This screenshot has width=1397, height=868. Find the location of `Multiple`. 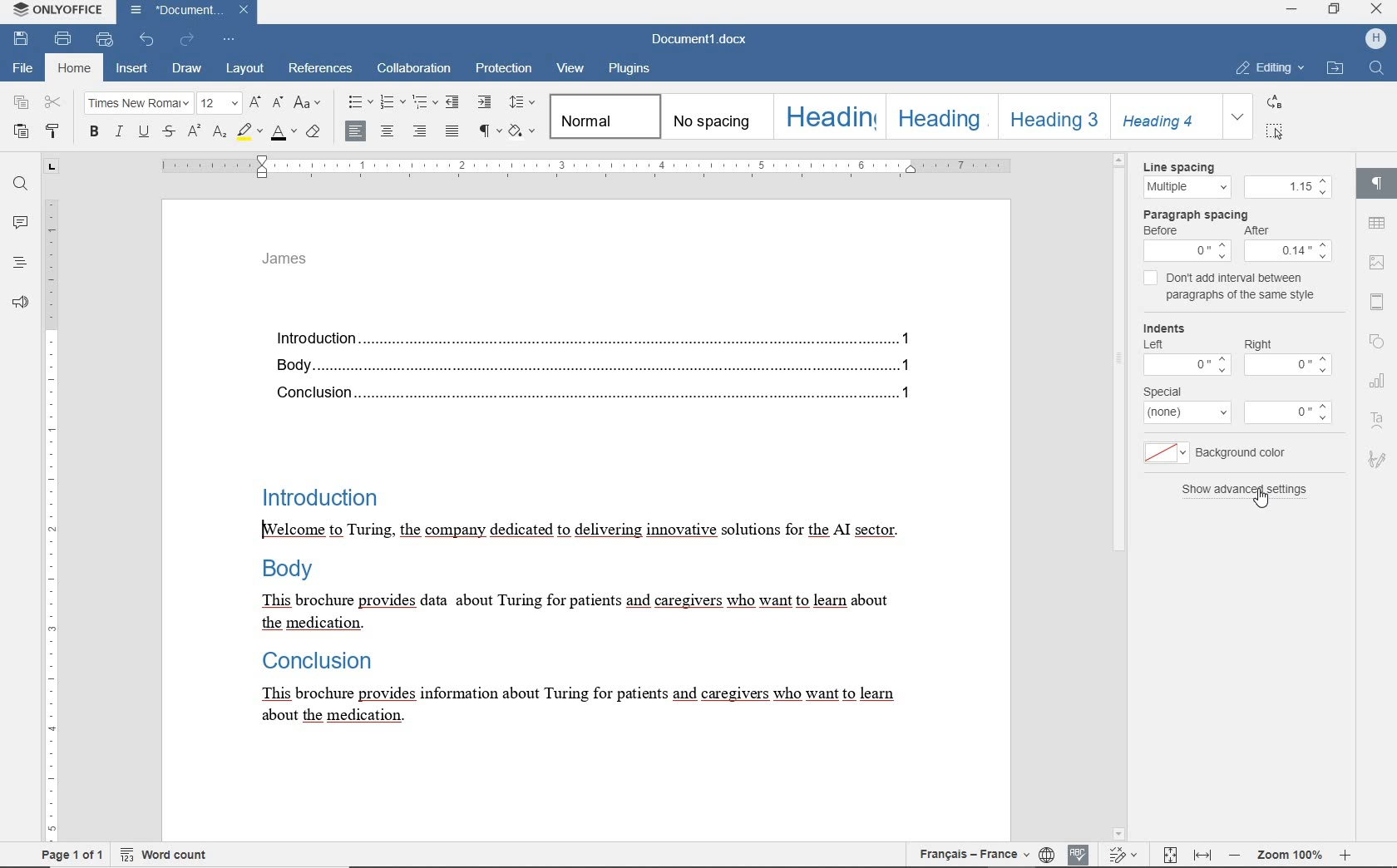

Multiple is located at coordinates (1186, 188).